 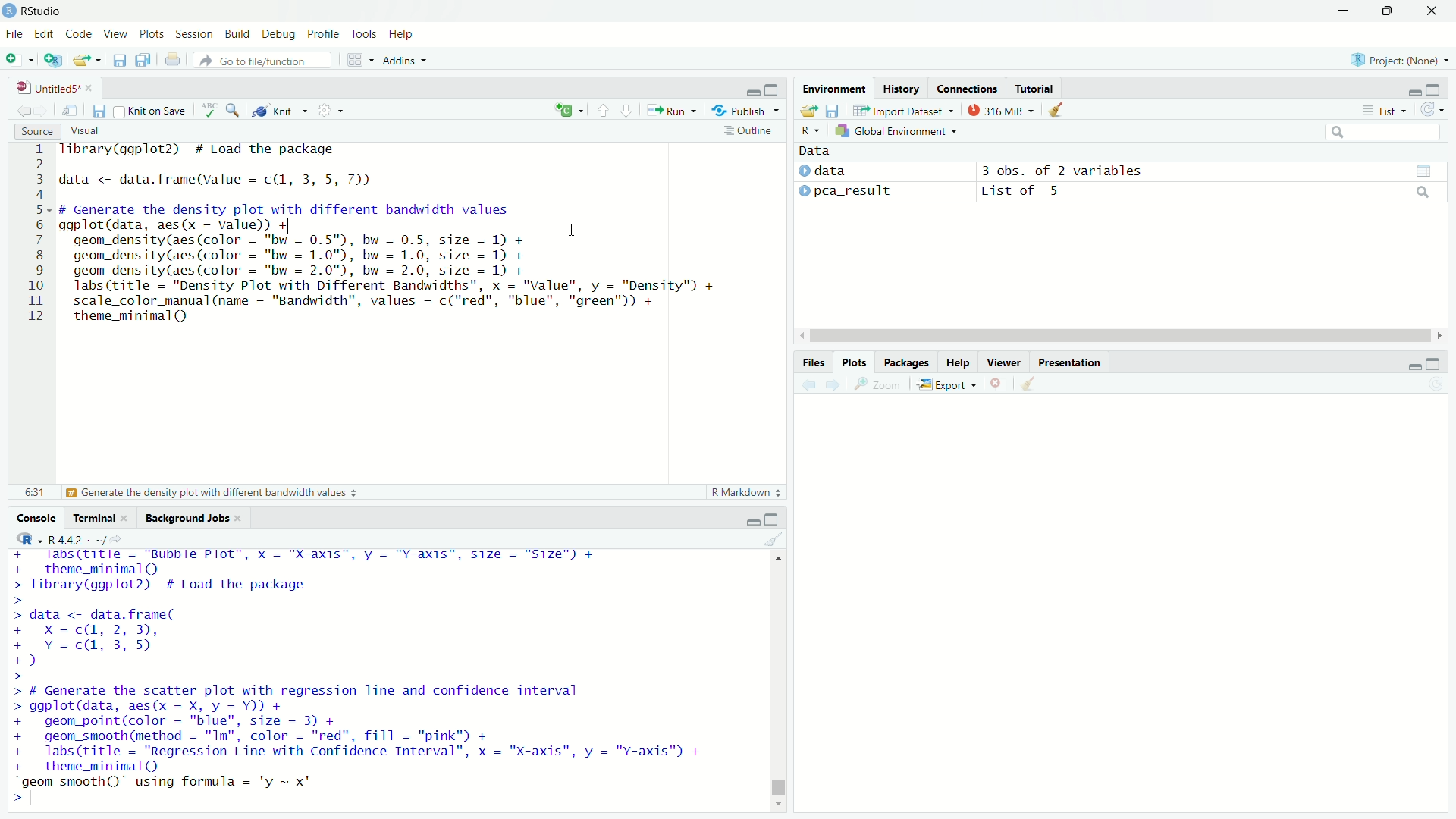 What do you see at coordinates (279, 111) in the screenshot?
I see `Knit` at bounding box center [279, 111].